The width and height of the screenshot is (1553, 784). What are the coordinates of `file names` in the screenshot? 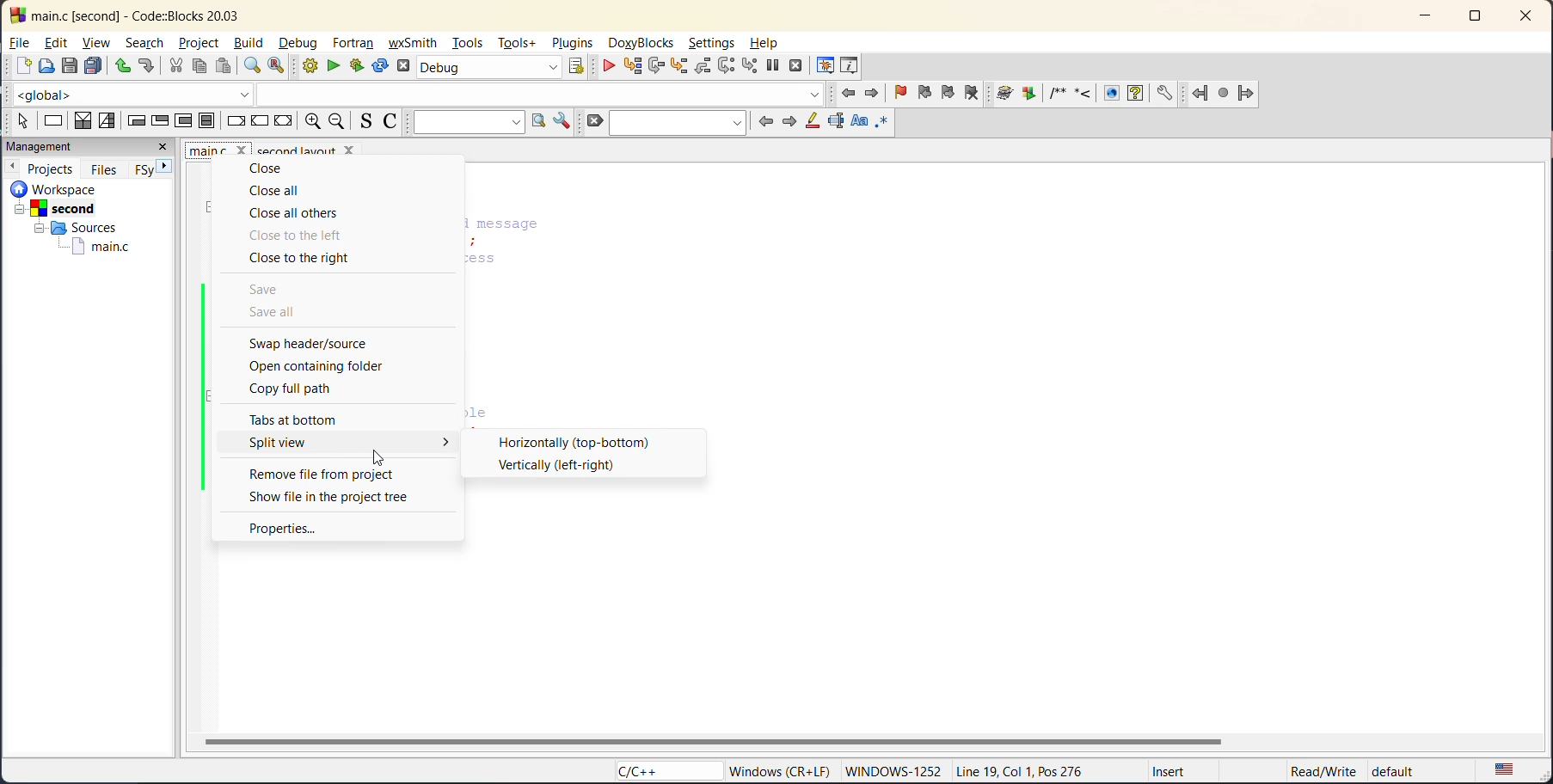 It's located at (216, 150).